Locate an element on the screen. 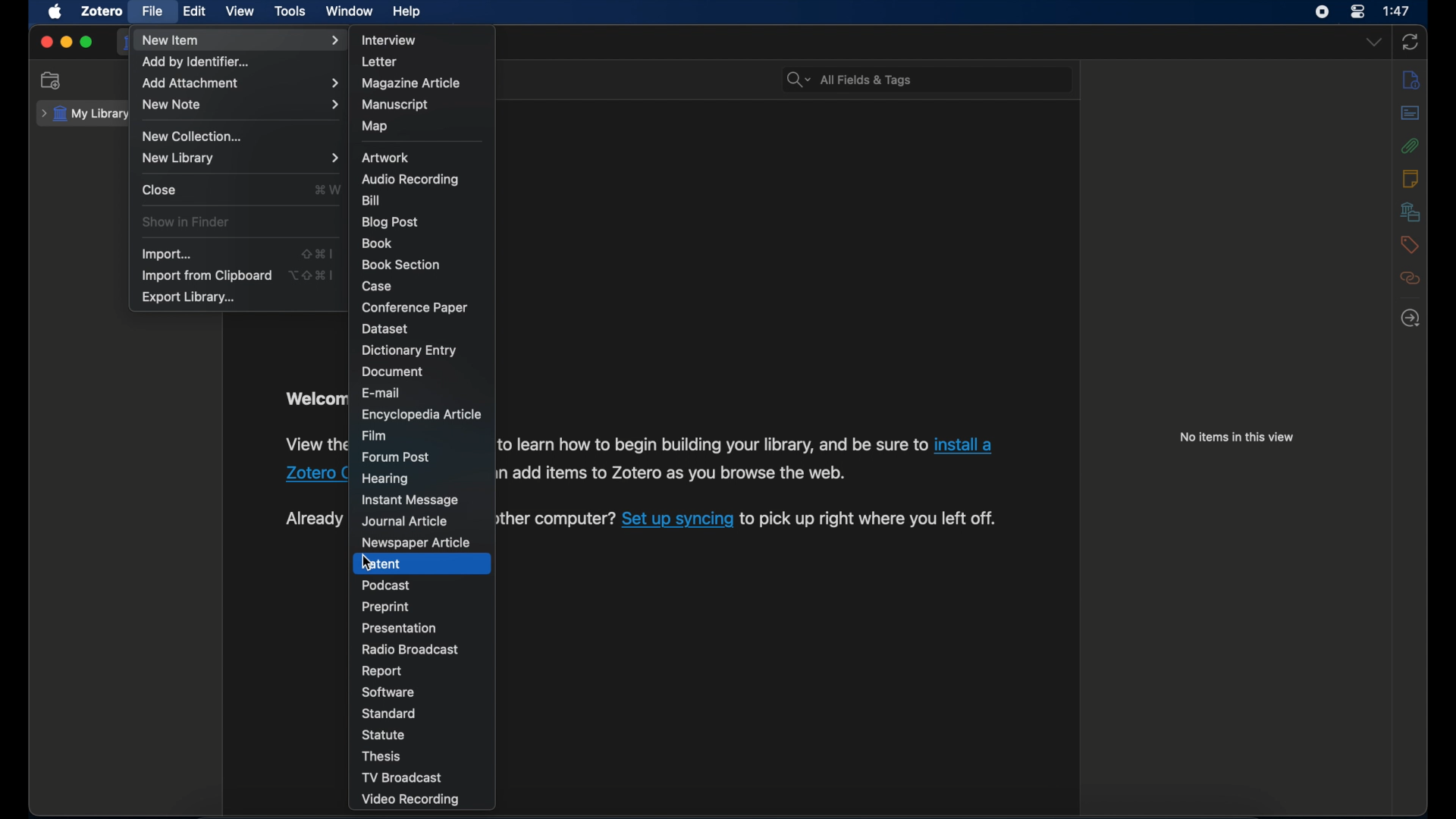 Image resolution: width=1456 pixels, height=819 pixels. Welcome is located at coordinates (315, 399).